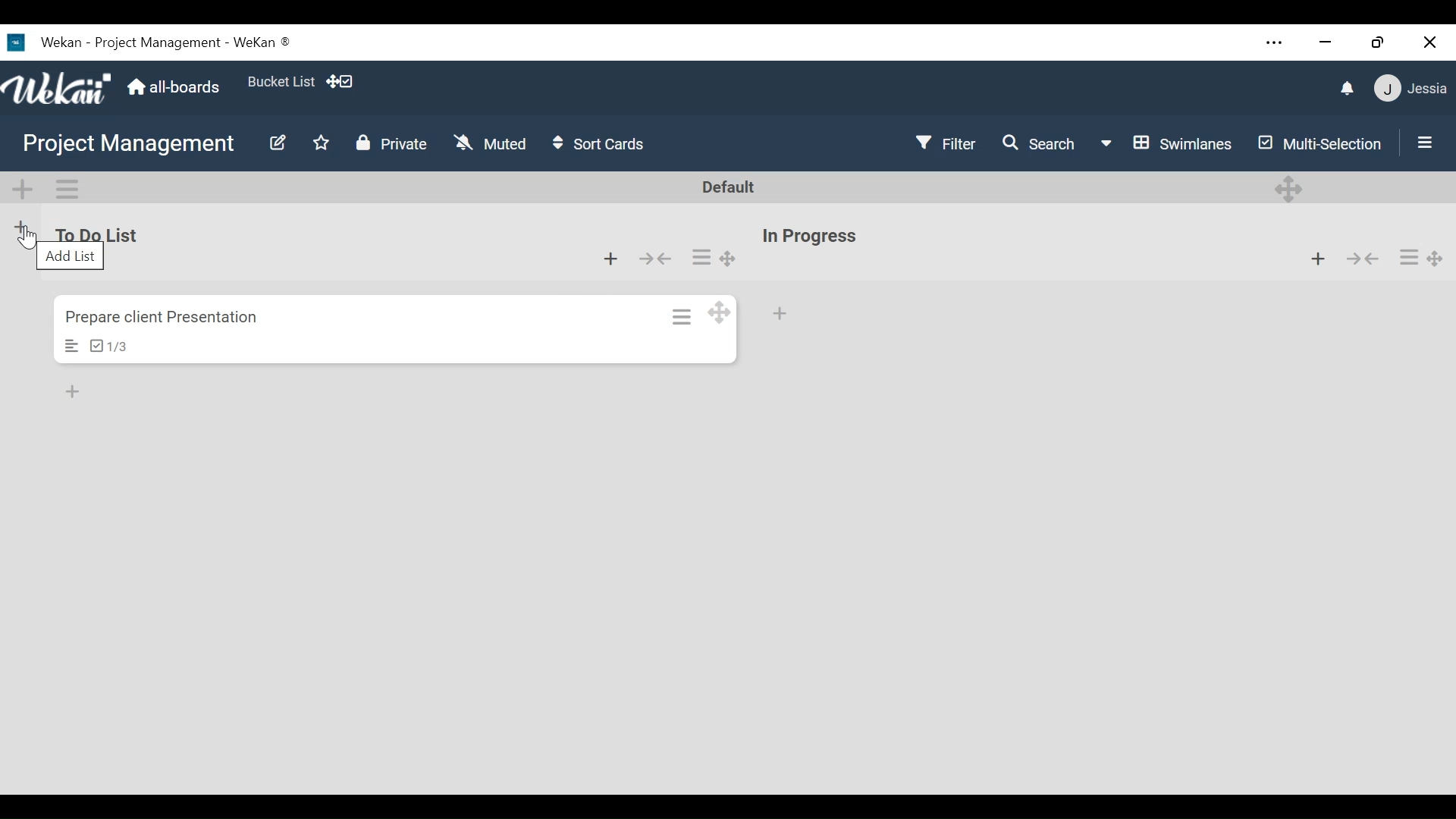 This screenshot has width=1456, height=819. Describe the element at coordinates (808, 237) in the screenshot. I see `List Title` at that location.